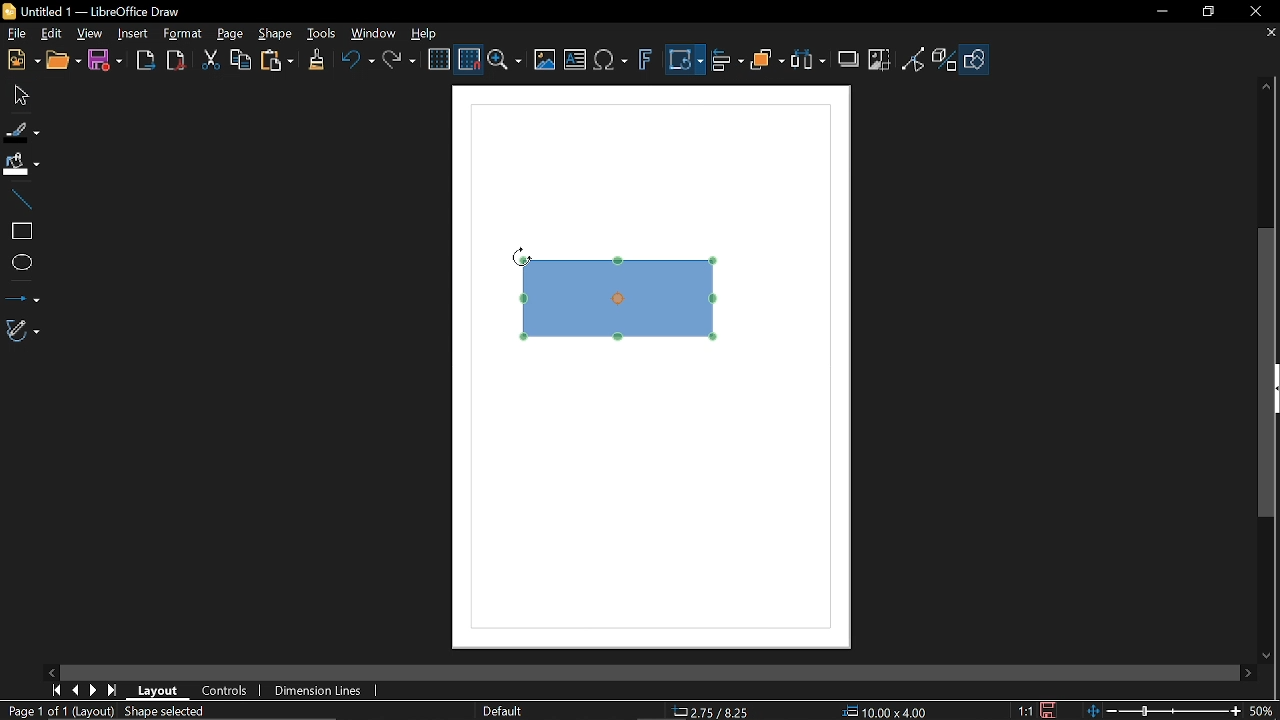  Describe the element at coordinates (576, 61) in the screenshot. I see `Insert text` at that location.